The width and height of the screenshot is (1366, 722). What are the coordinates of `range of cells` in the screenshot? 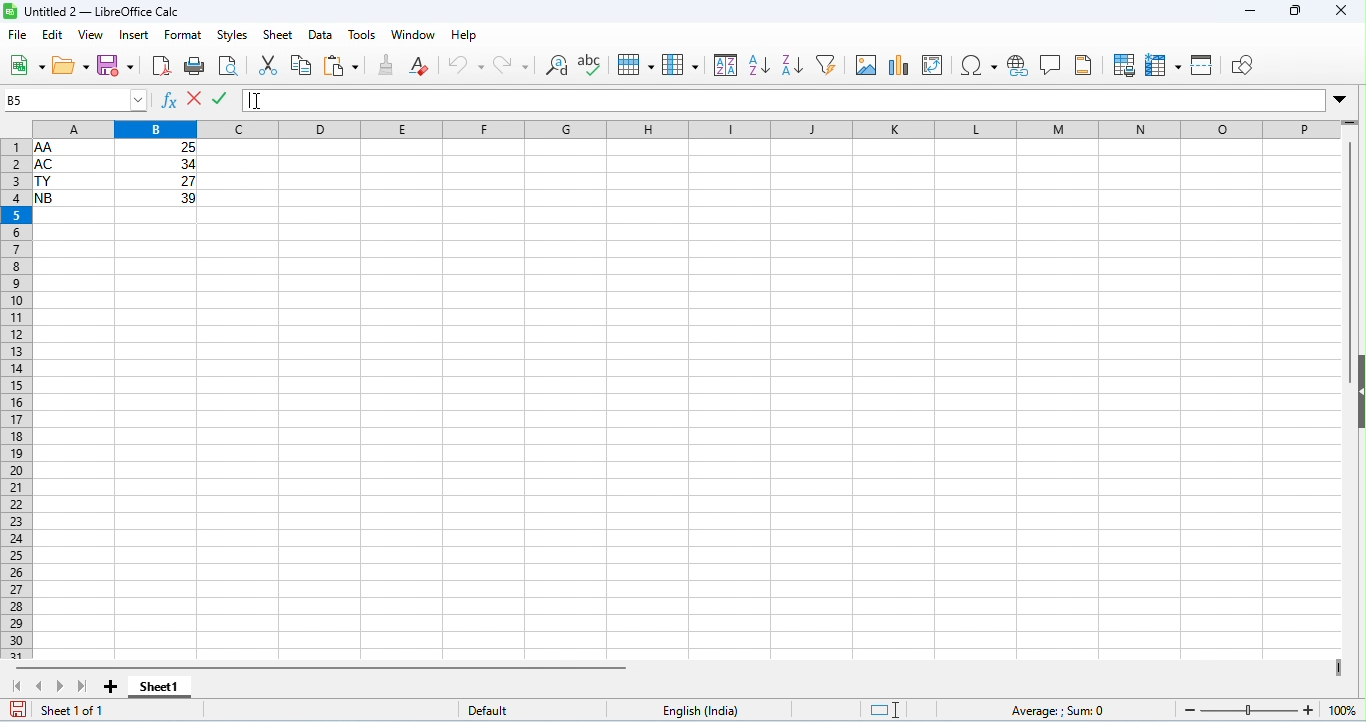 It's located at (116, 172).